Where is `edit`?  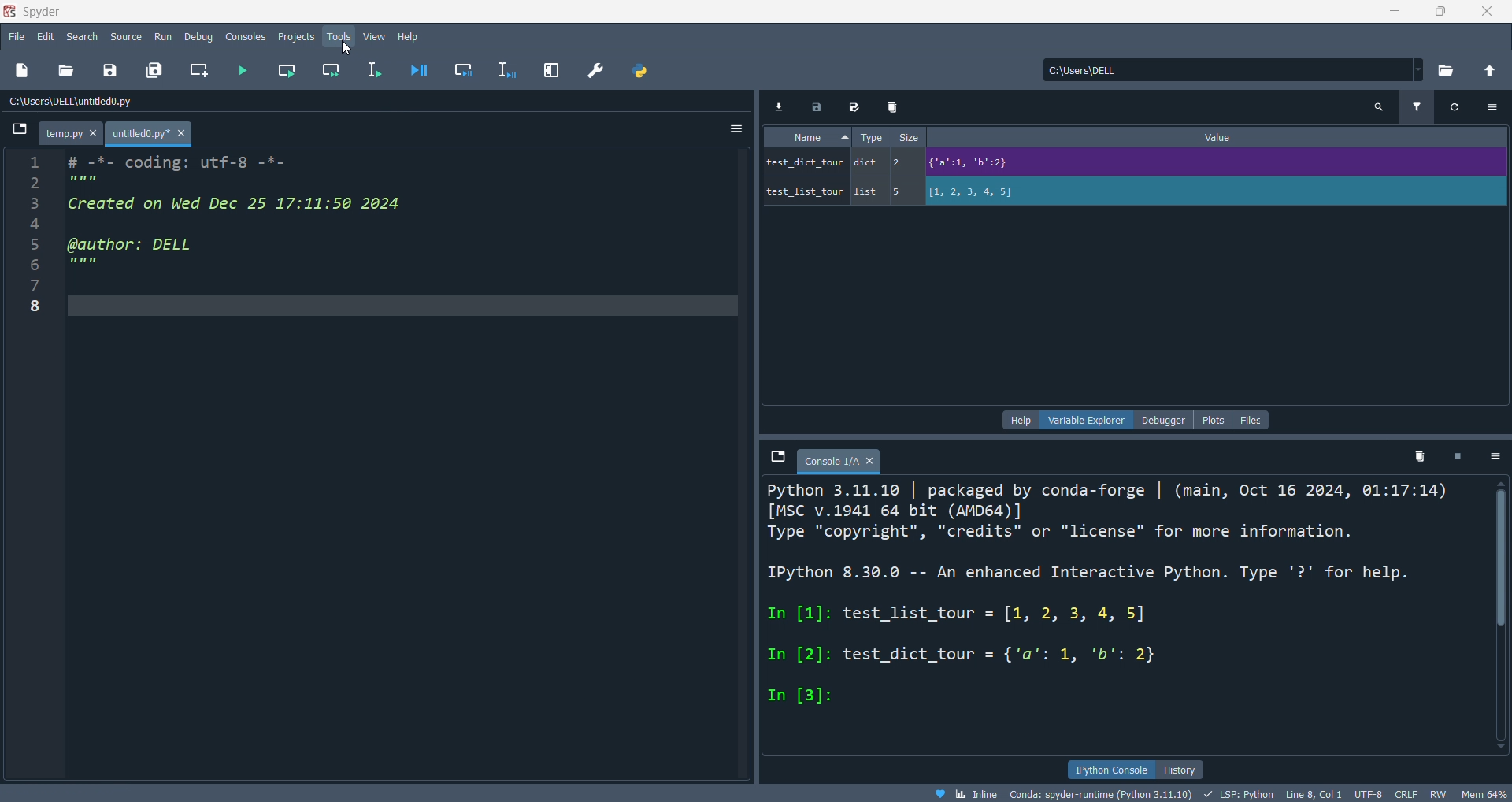 edit is located at coordinates (44, 35).